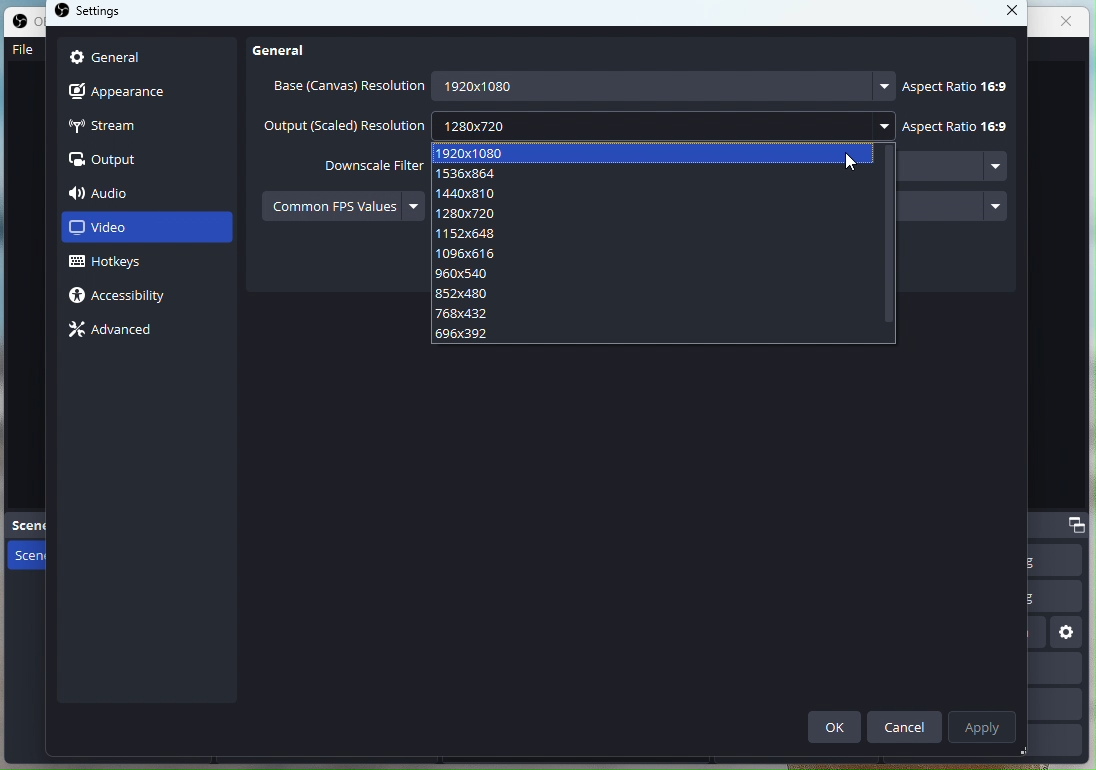 This screenshot has width=1096, height=770. Describe the element at coordinates (330, 205) in the screenshot. I see `Common FPS values` at that location.